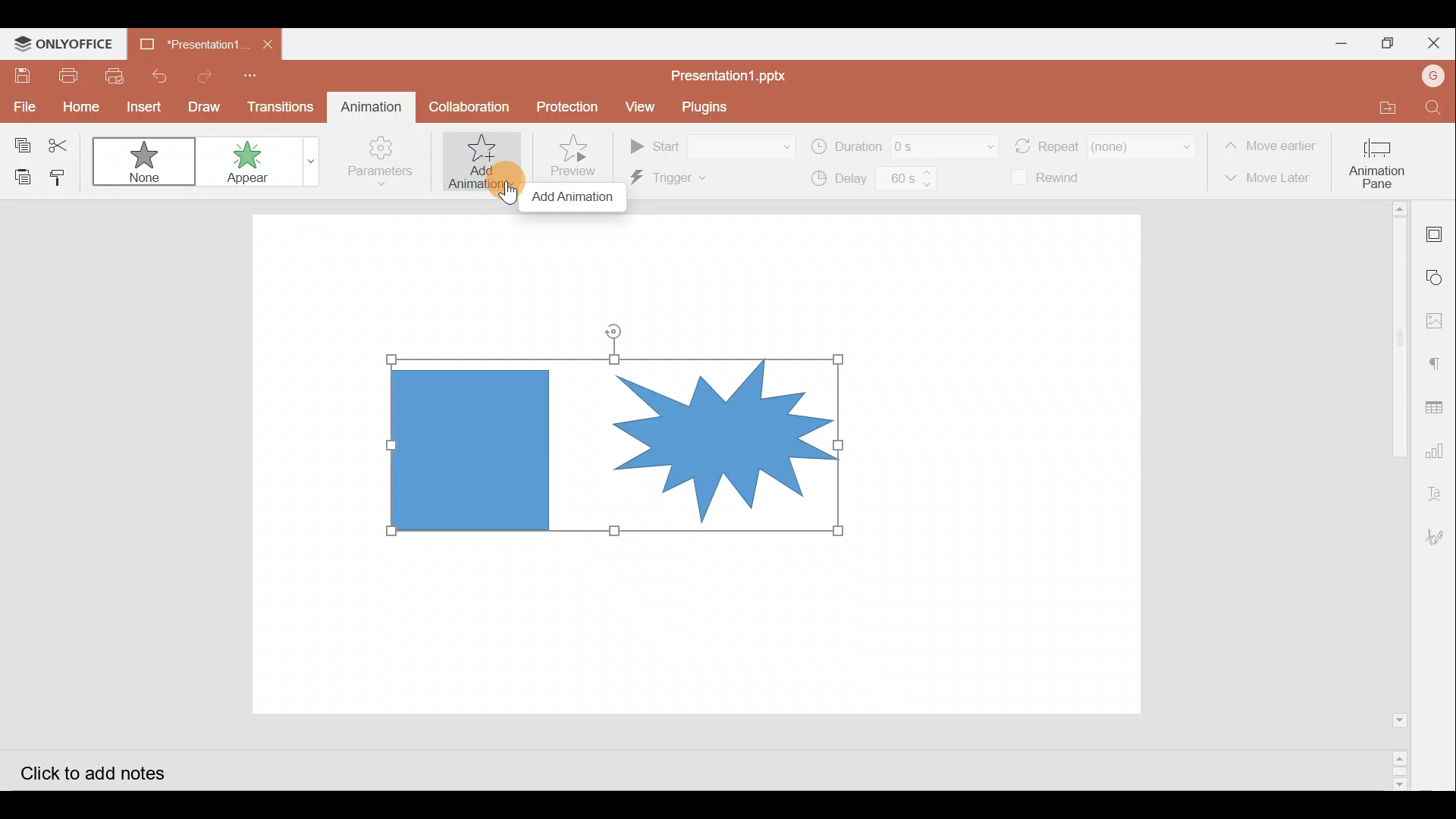 The width and height of the screenshot is (1456, 819). What do you see at coordinates (619, 447) in the screenshot?
I see `Group of shape on presentation slide` at bounding box center [619, 447].